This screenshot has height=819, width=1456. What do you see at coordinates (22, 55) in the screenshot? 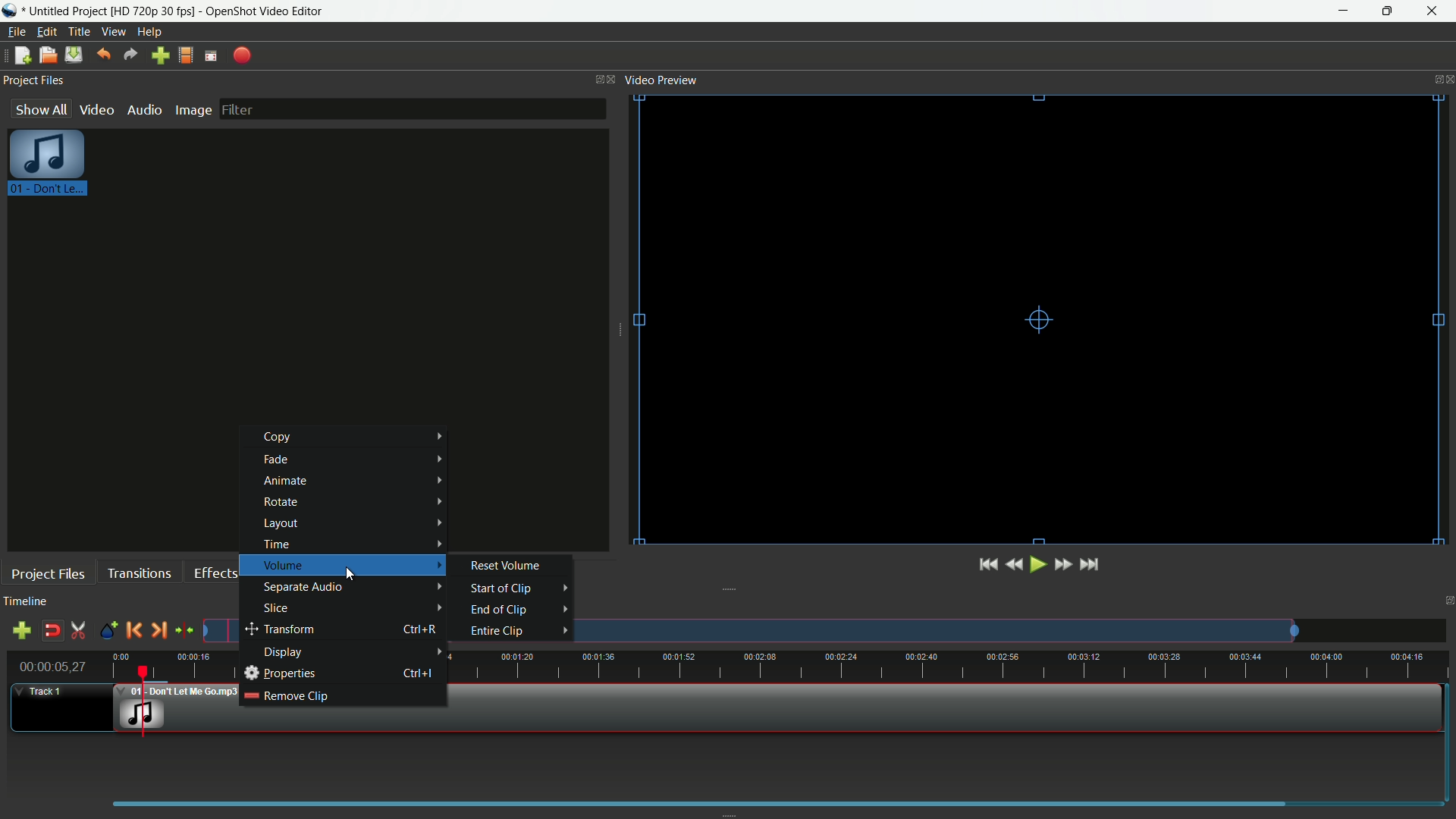
I see `new file` at bounding box center [22, 55].